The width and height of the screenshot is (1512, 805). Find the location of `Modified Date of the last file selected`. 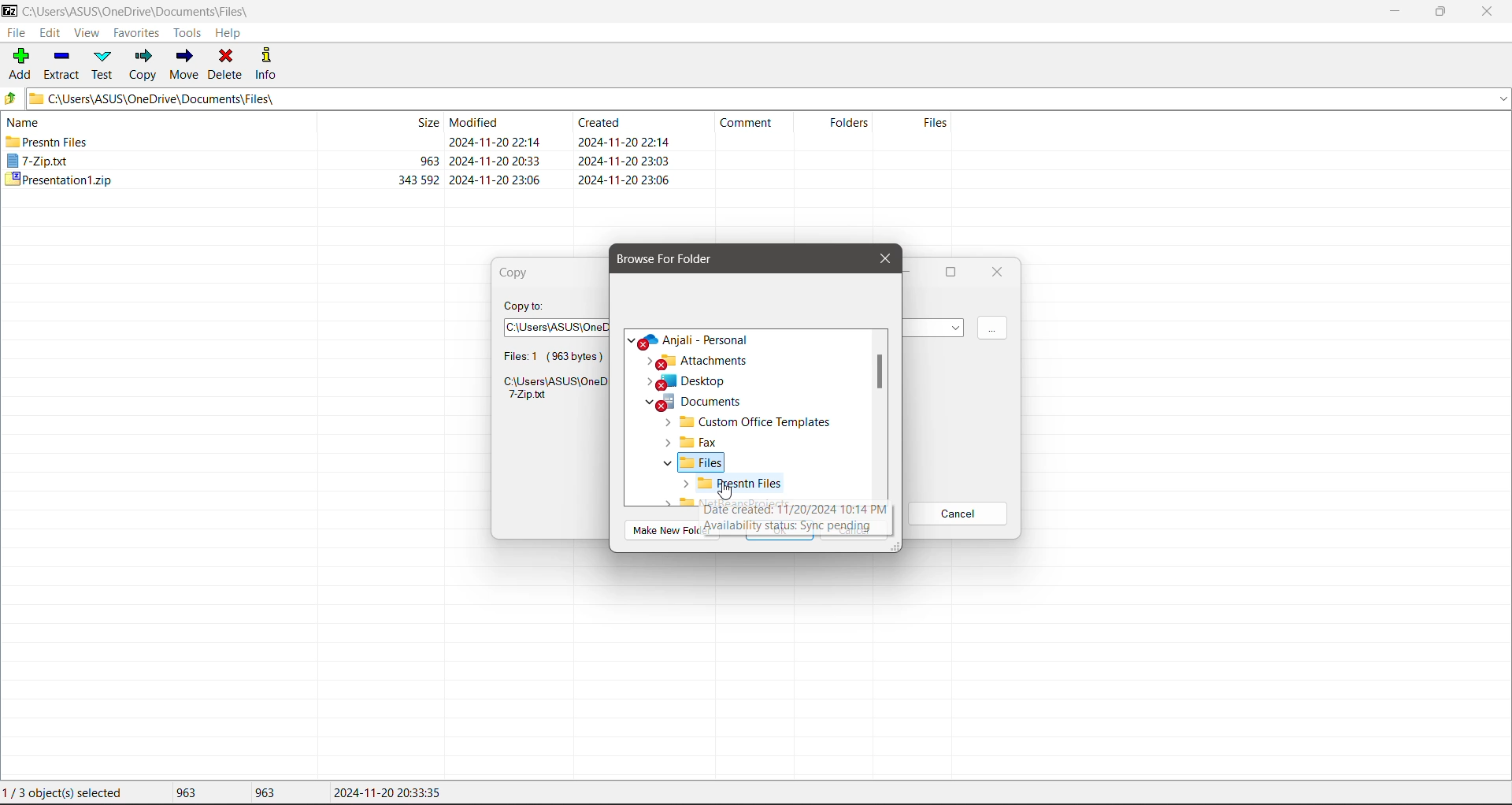

Modified Date of the last file selected is located at coordinates (387, 793).